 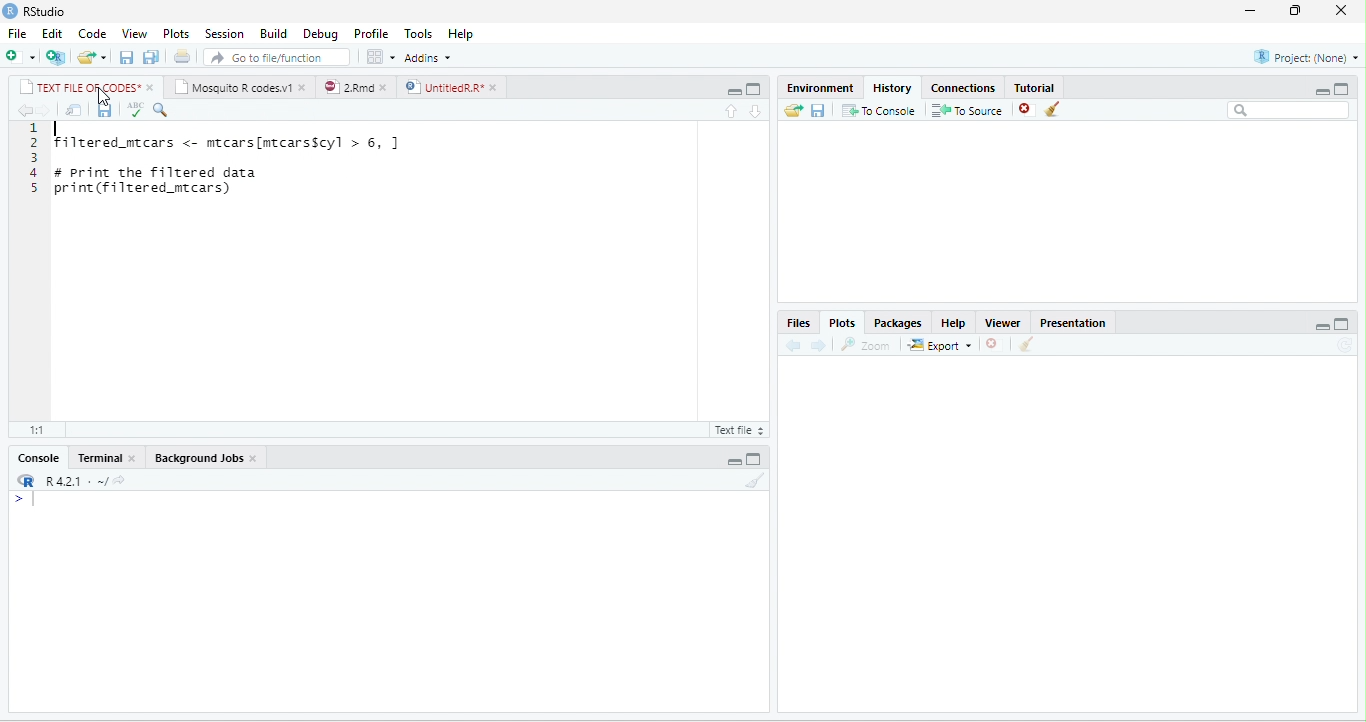 What do you see at coordinates (276, 58) in the screenshot?
I see `search file` at bounding box center [276, 58].